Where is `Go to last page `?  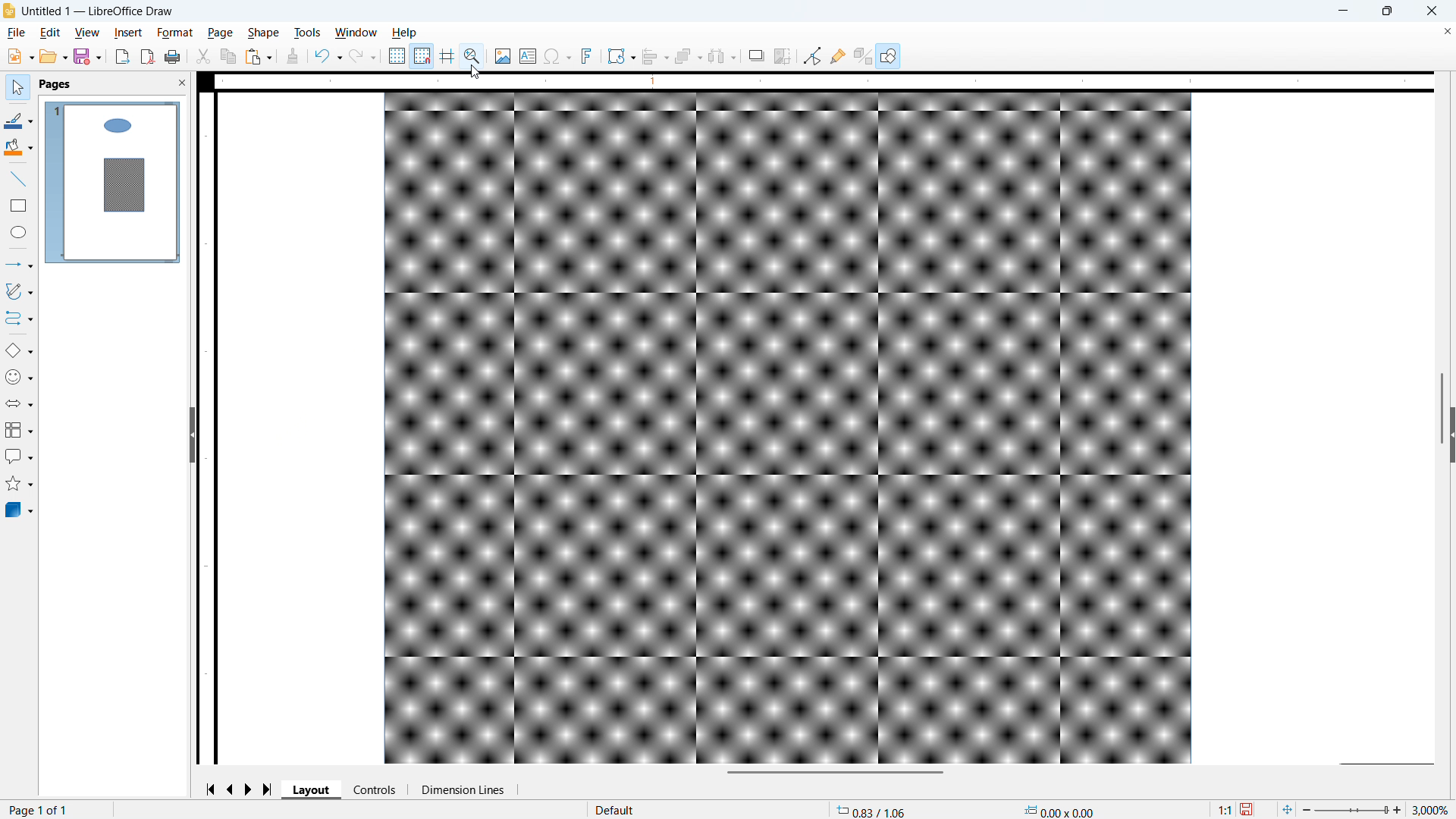 Go to last page  is located at coordinates (268, 789).